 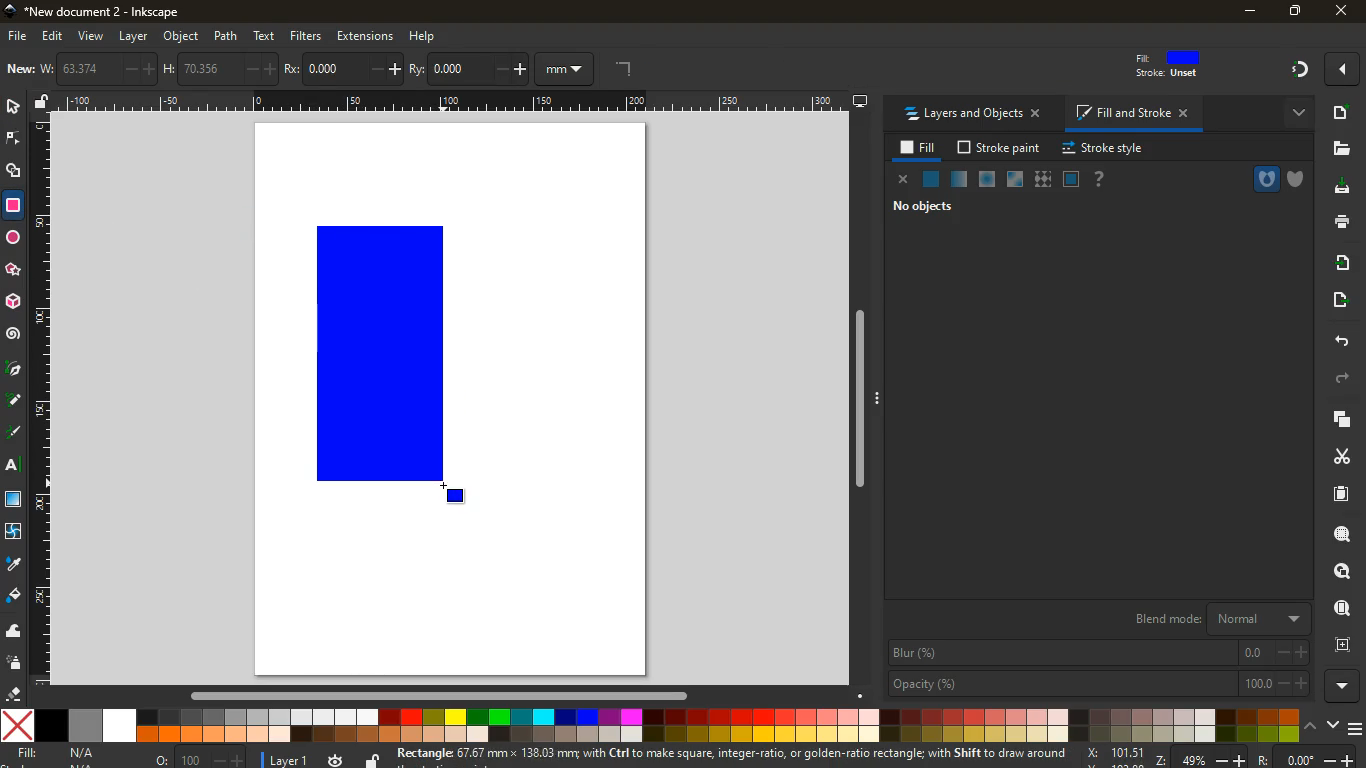 What do you see at coordinates (20, 69) in the screenshot?
I see `new` at bounding box center [20, 69].